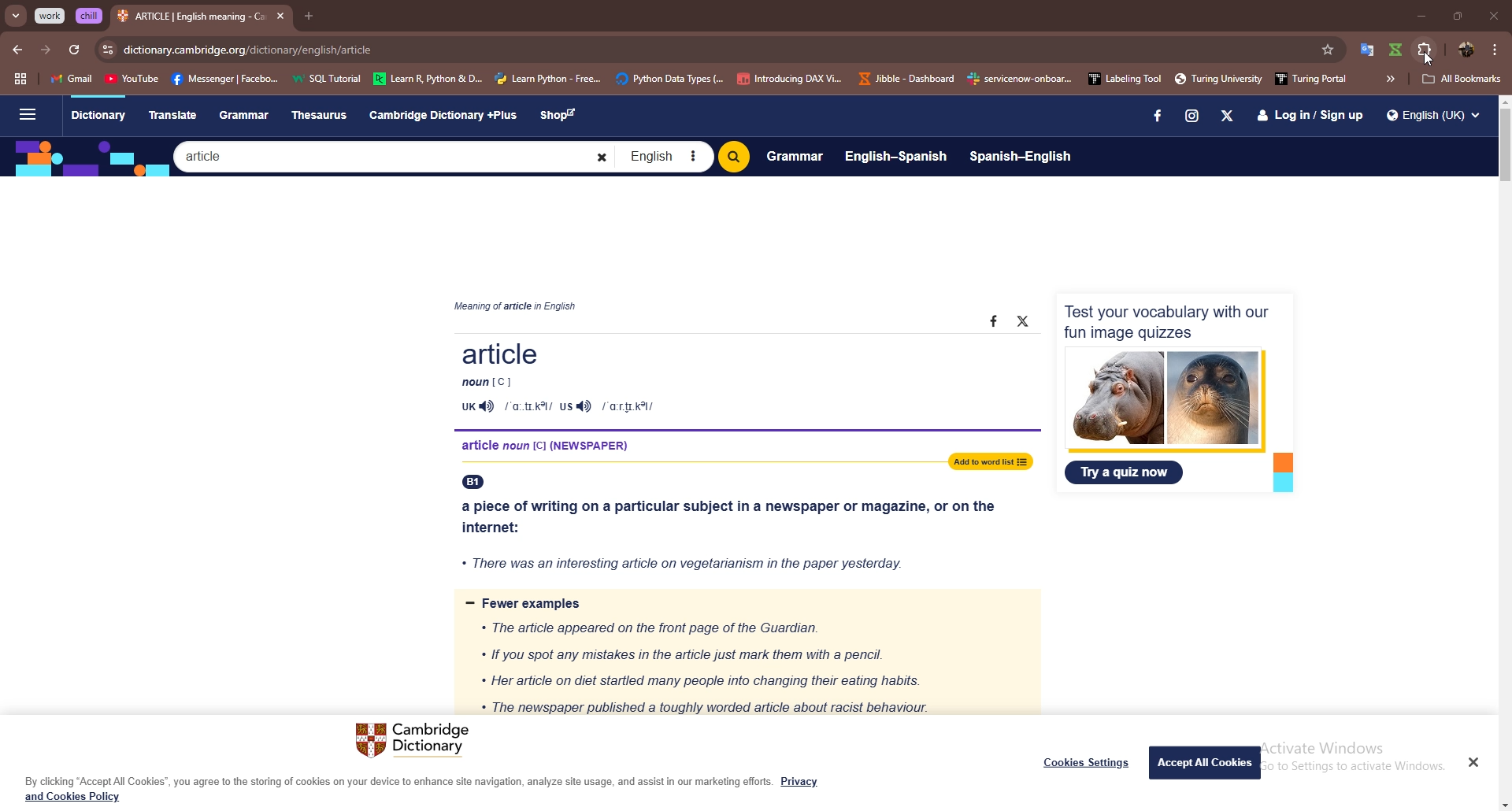 Image resolution: width=1512 pixels, height=811 pixels. Describe the element at coordinates (896, 155) in the screenshot. I see `English-Spanish` at that location.